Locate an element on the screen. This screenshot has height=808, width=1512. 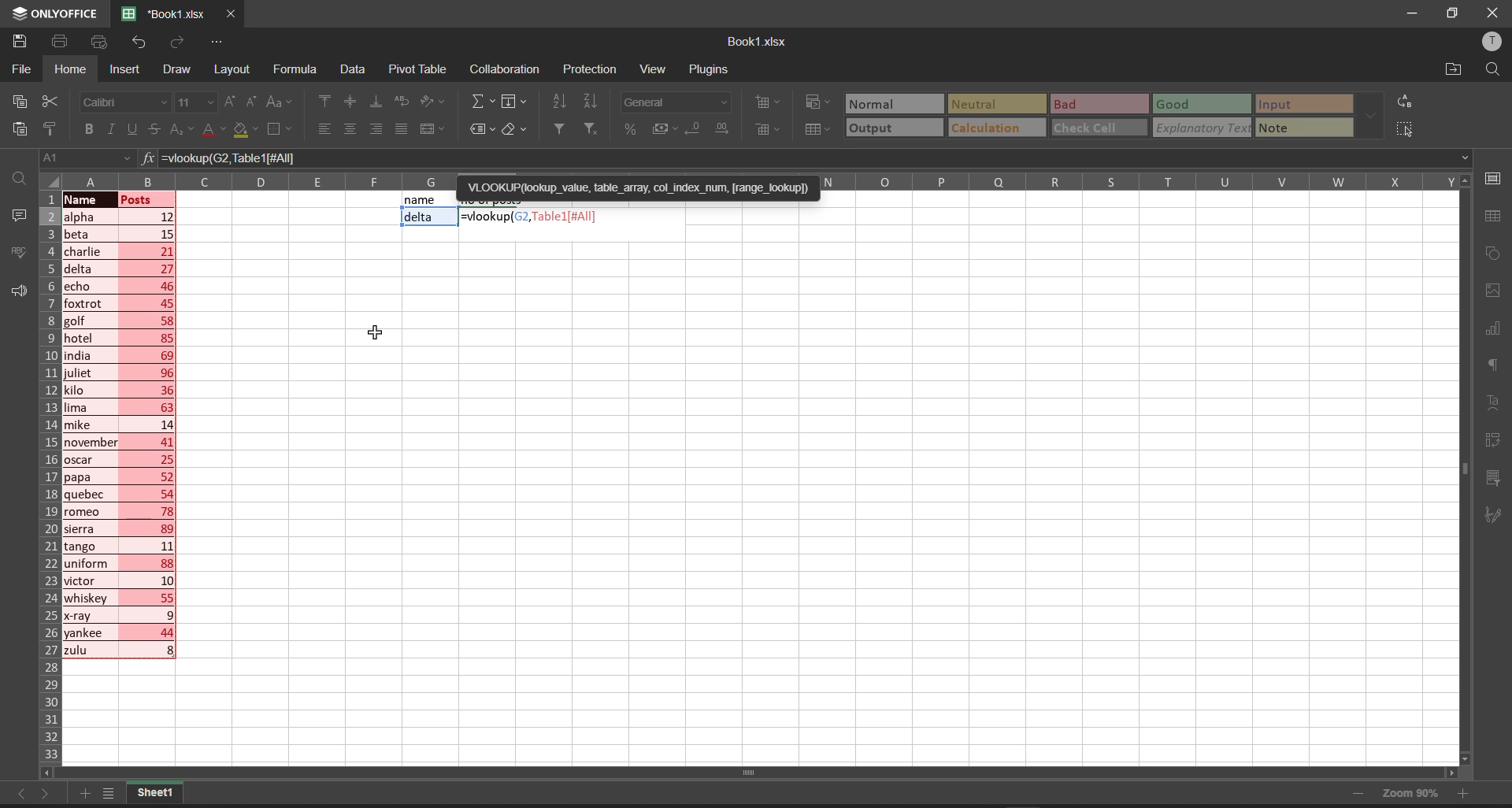
clear filters is located at coordinates (591, 128).